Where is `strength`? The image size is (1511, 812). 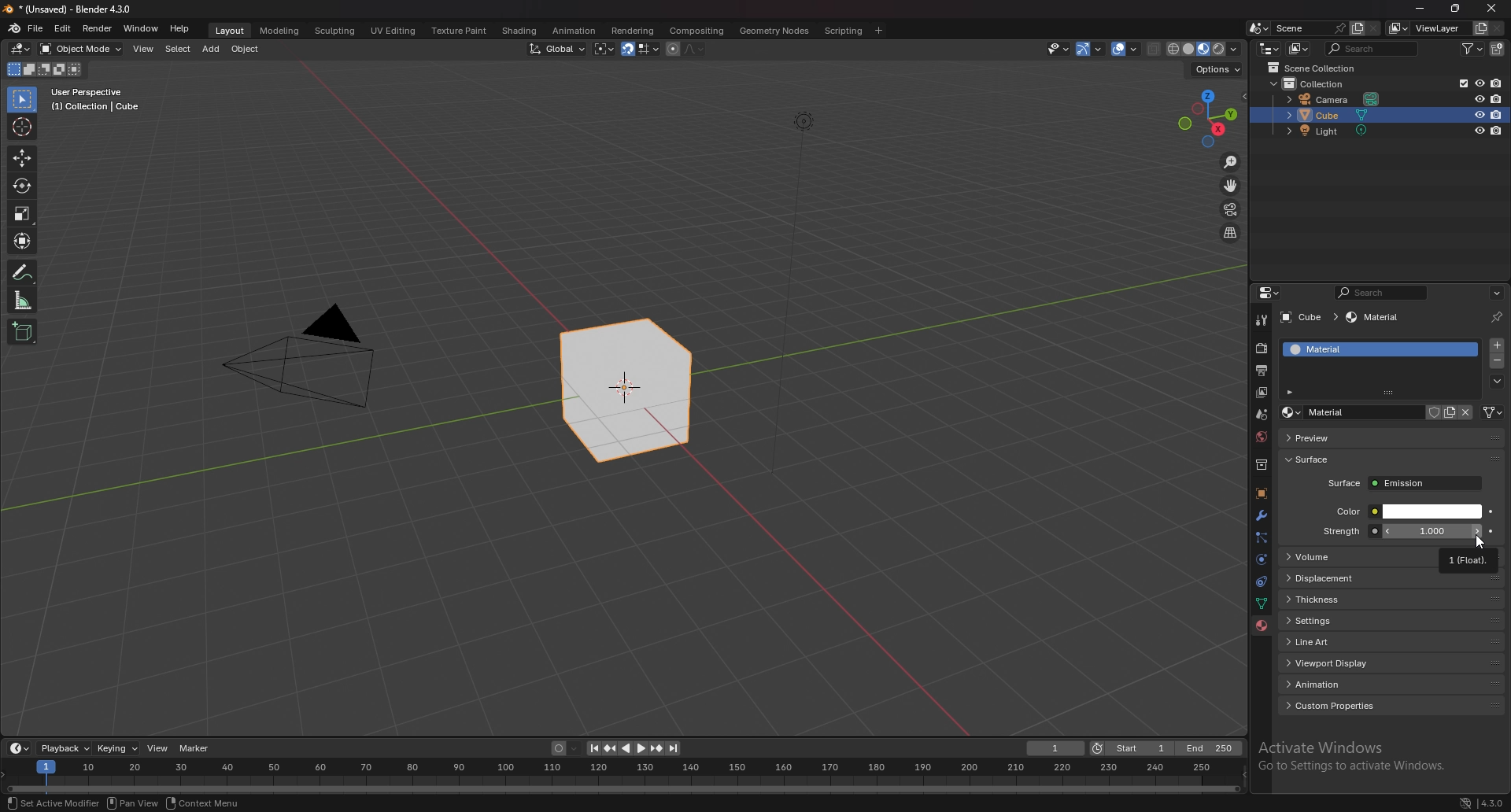 strength is located at coordinates (1341, 531).